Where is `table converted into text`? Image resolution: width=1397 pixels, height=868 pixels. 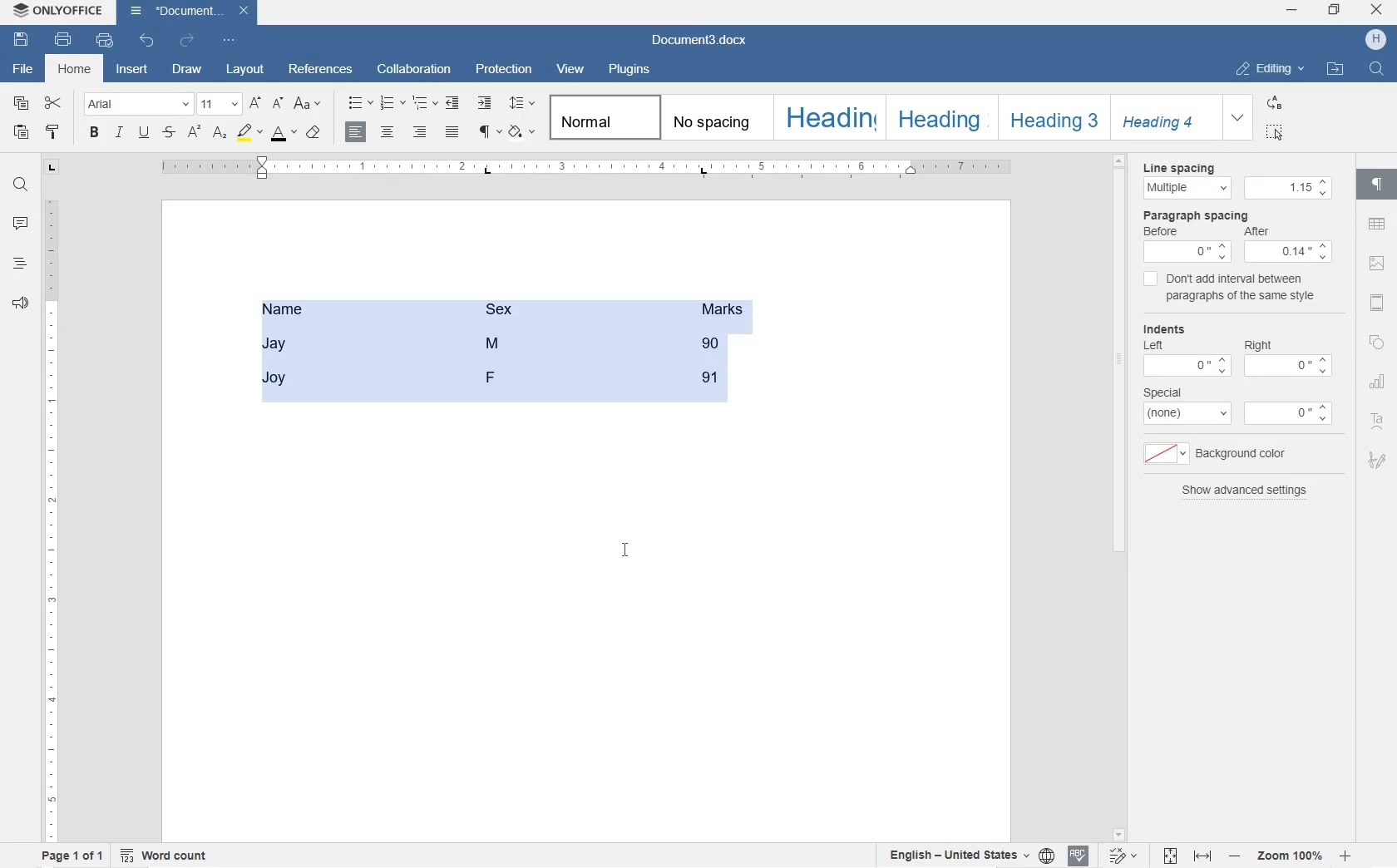
table converted into text is located at coordinates (510, 358).